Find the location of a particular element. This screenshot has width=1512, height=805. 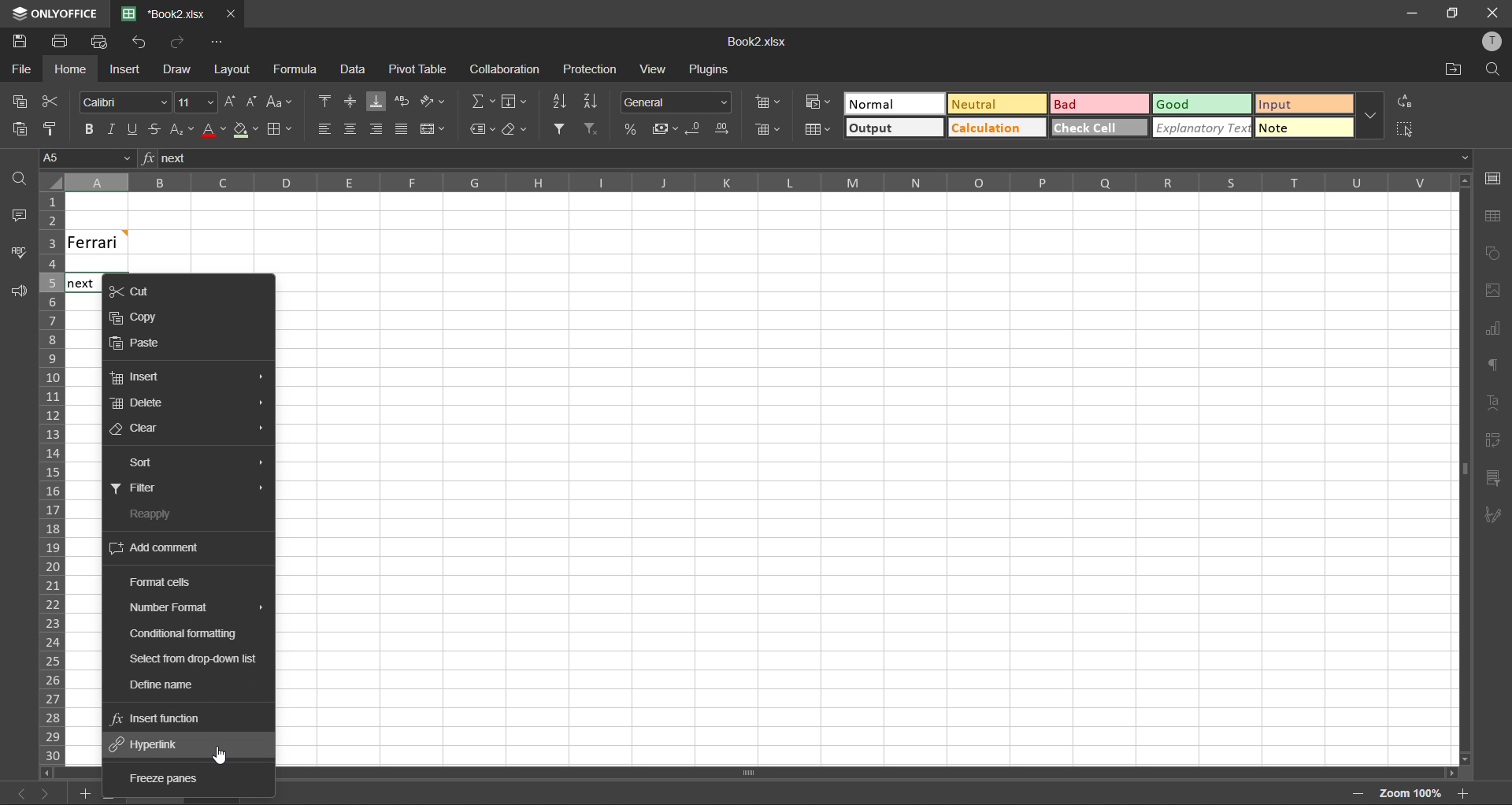

sort ascending is located at coordinates (563, 104).